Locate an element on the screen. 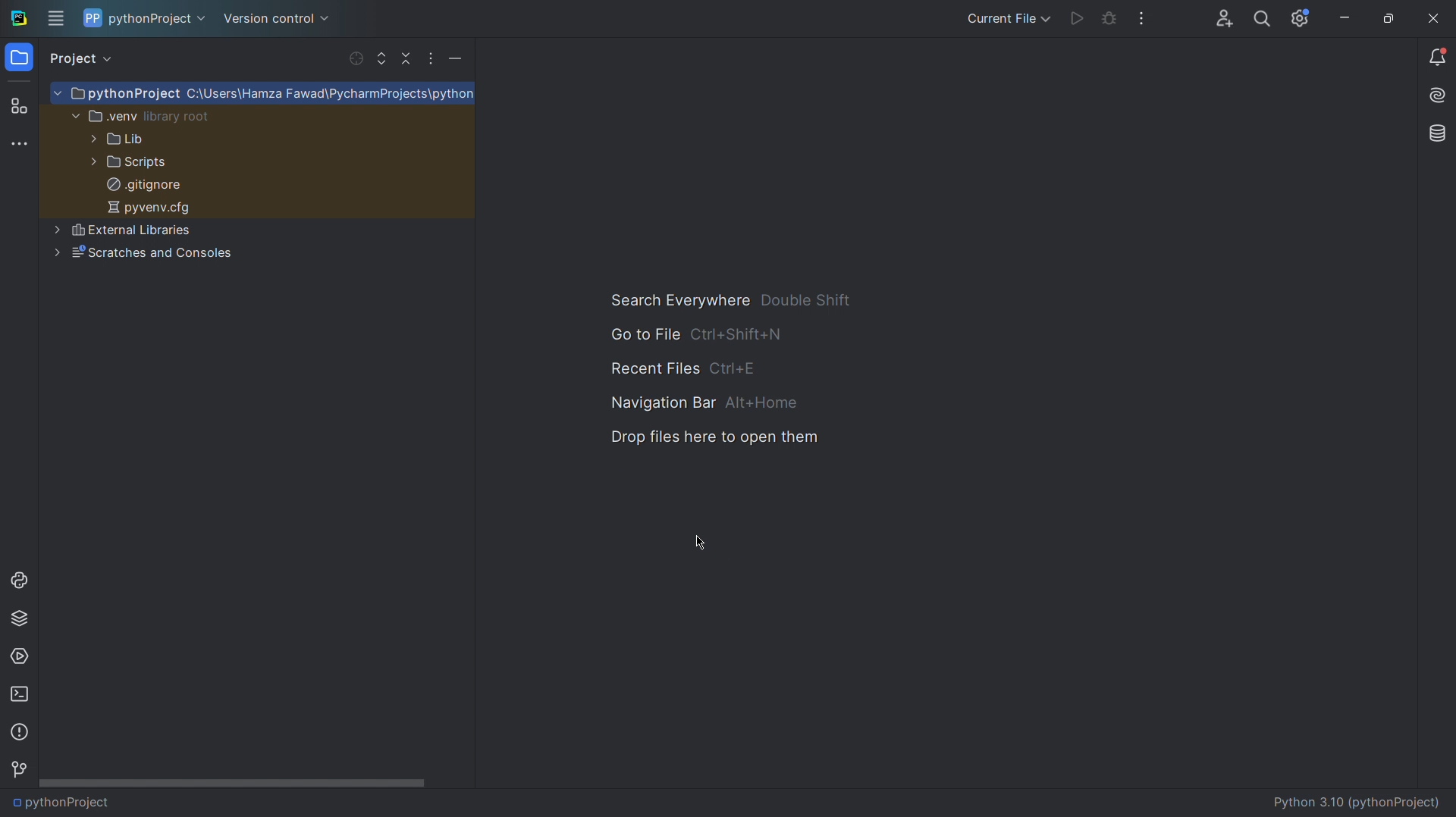 Image resolution: width=1456 pixels, height=817 pixels. Lib is located at coordinates (123, 141).